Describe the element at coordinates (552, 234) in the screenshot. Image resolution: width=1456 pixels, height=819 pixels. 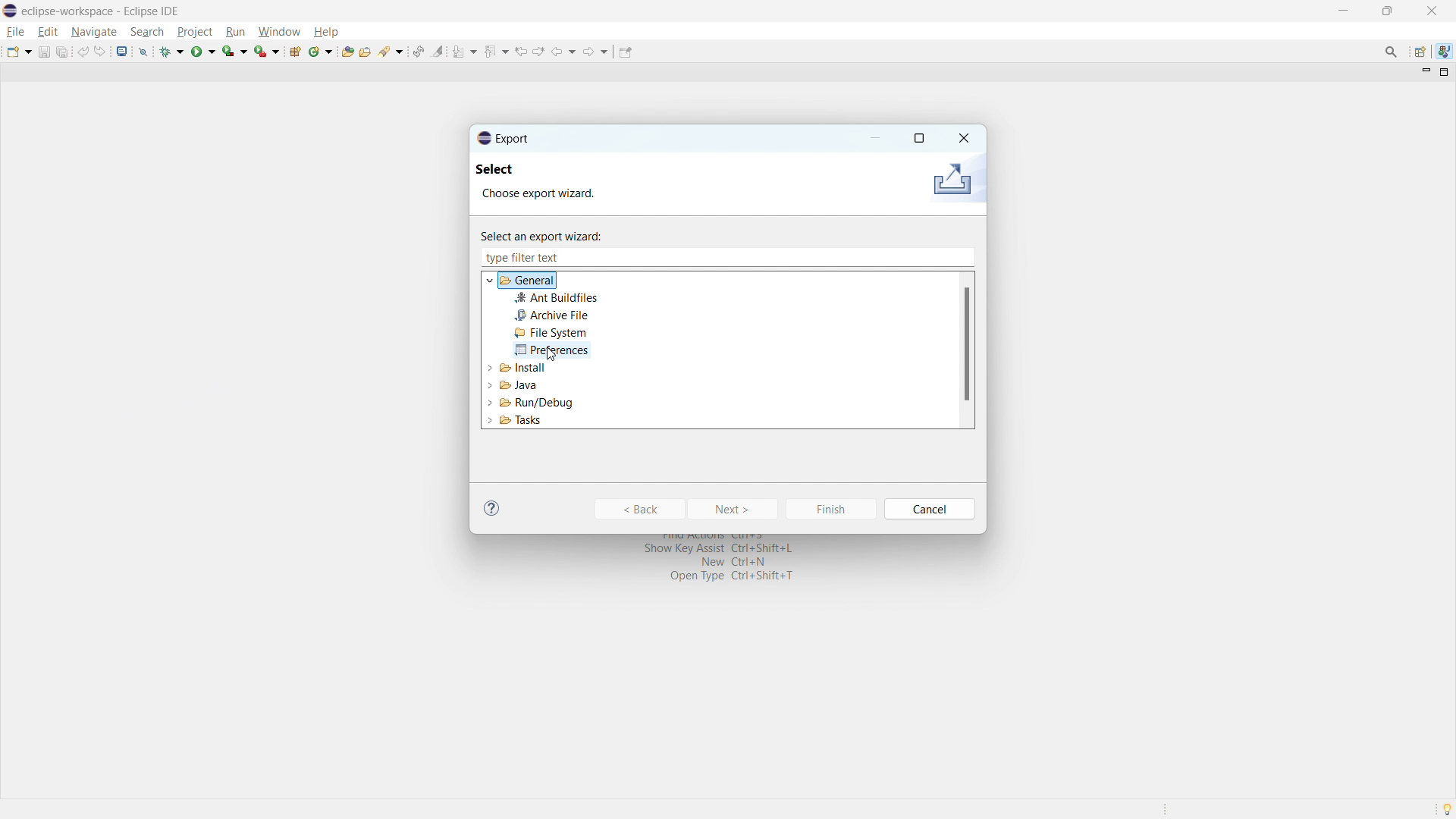
I see `Select an export wizard` at that location.